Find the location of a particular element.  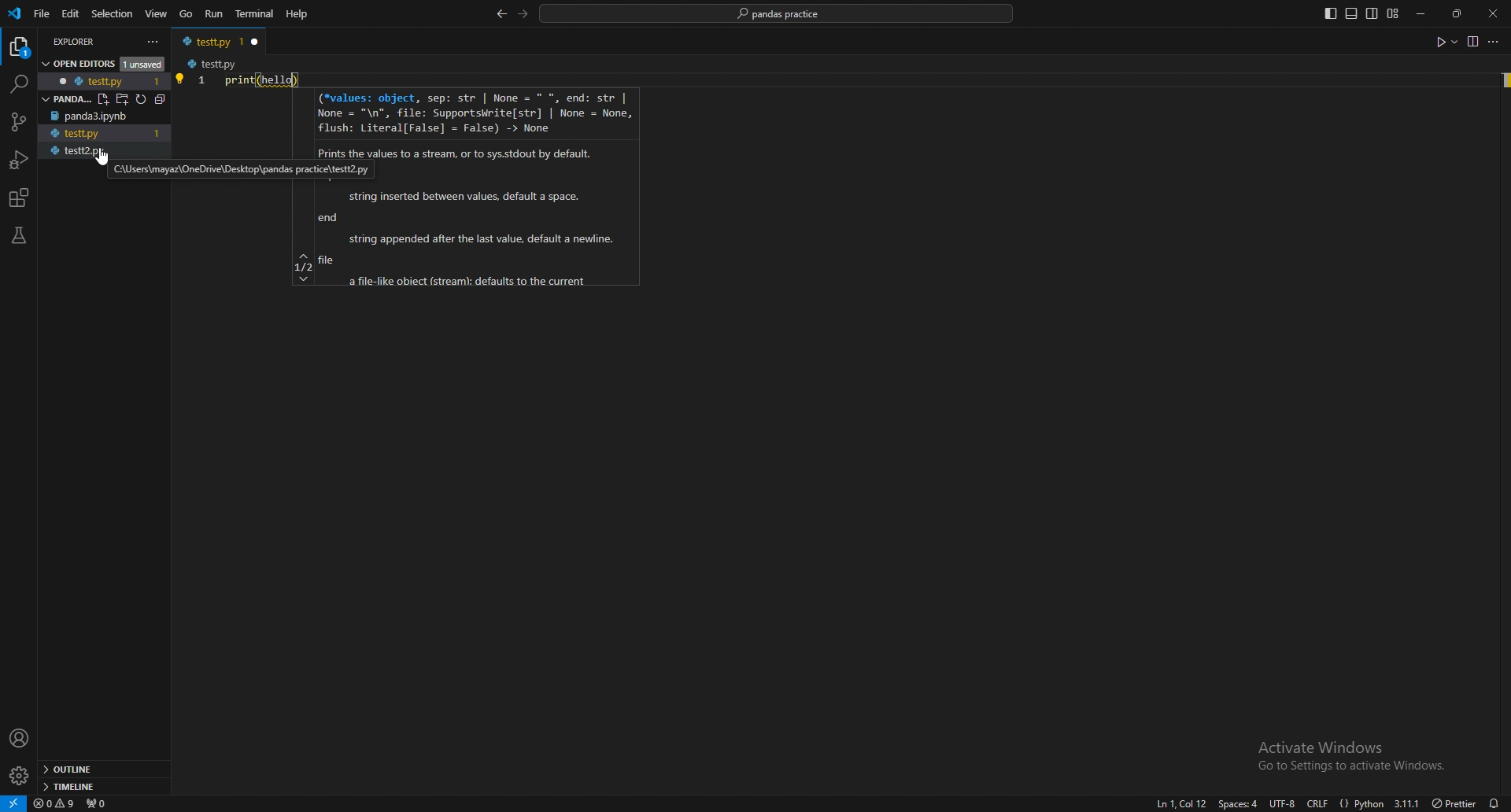

testt2.py is located at coordinates (79, 153).